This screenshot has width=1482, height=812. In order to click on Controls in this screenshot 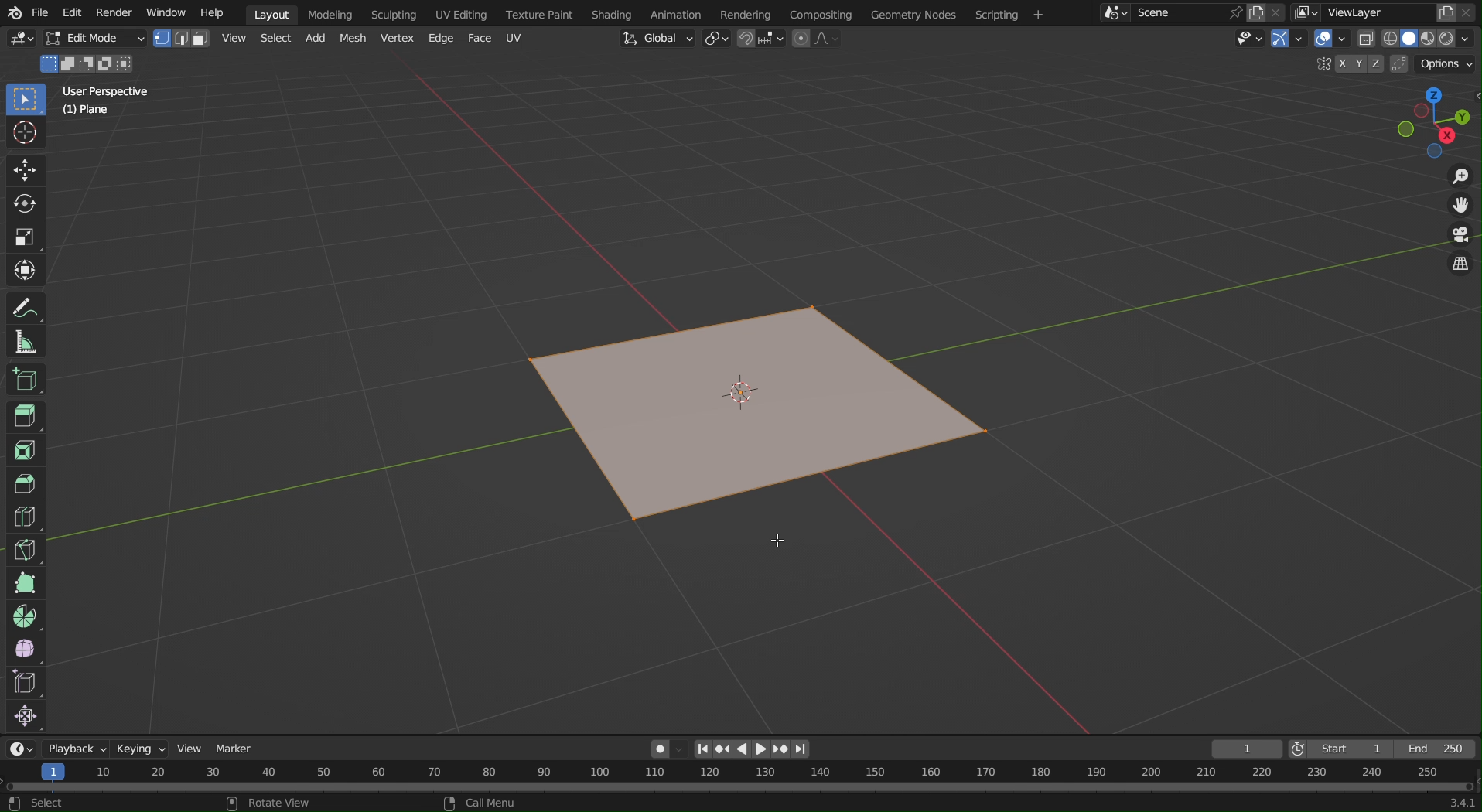, I will do `click(752, 749)`.